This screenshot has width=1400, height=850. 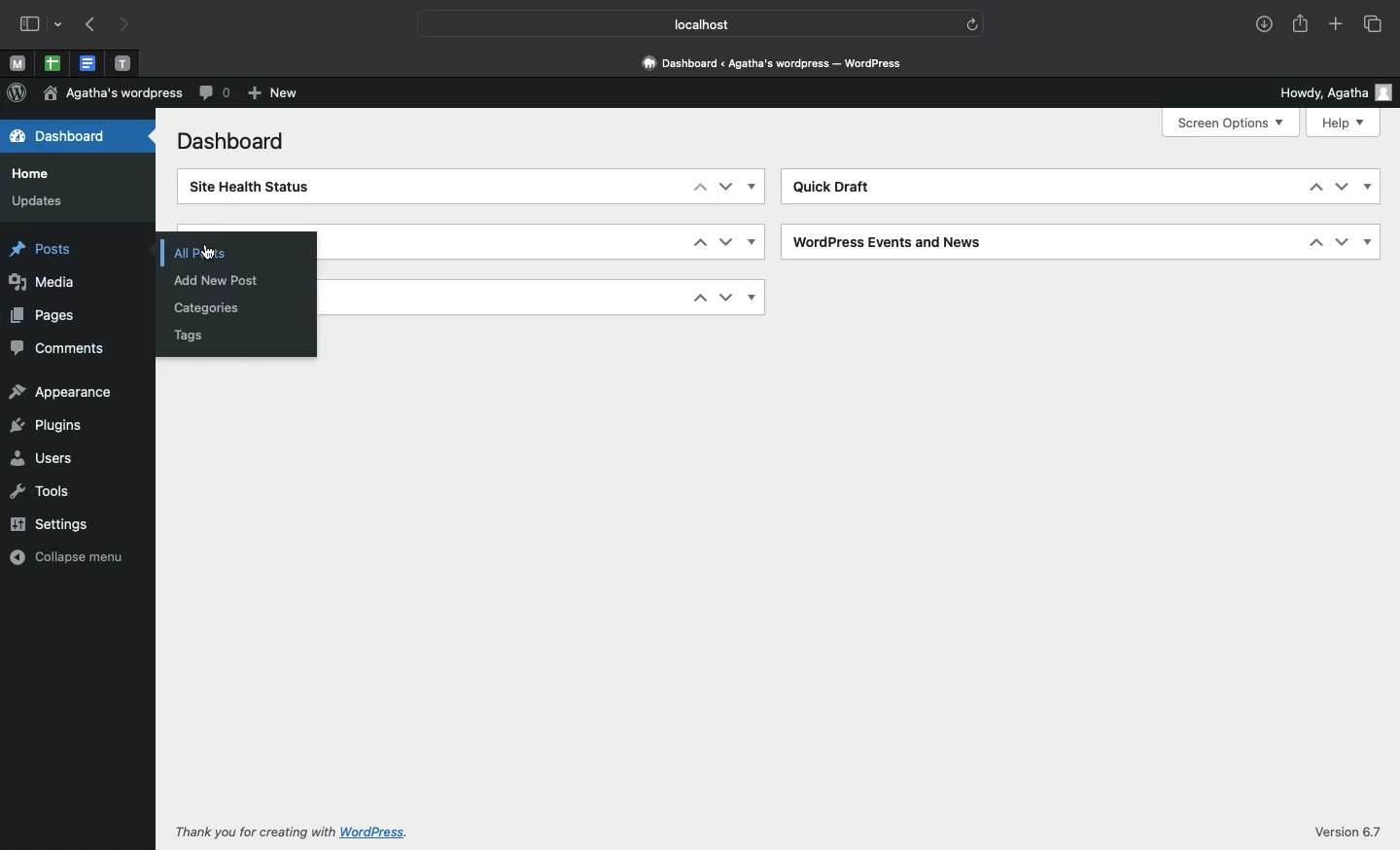 What do you see at coordinates (113, 93) in the screenshot?
I see `Wordpress name` at bounding box center [113, 93].